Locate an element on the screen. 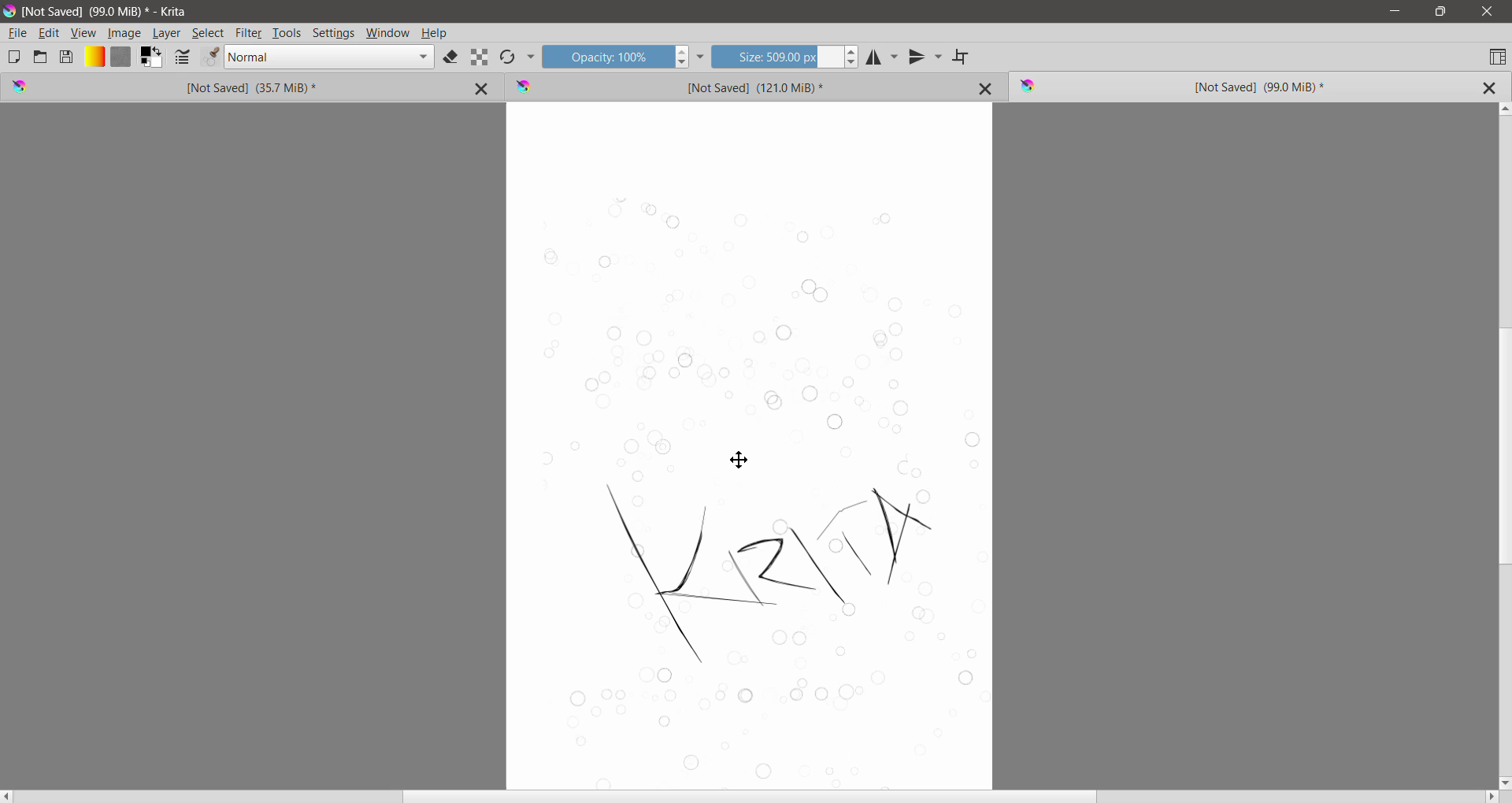  Layer is located at coordinates (168, 33).